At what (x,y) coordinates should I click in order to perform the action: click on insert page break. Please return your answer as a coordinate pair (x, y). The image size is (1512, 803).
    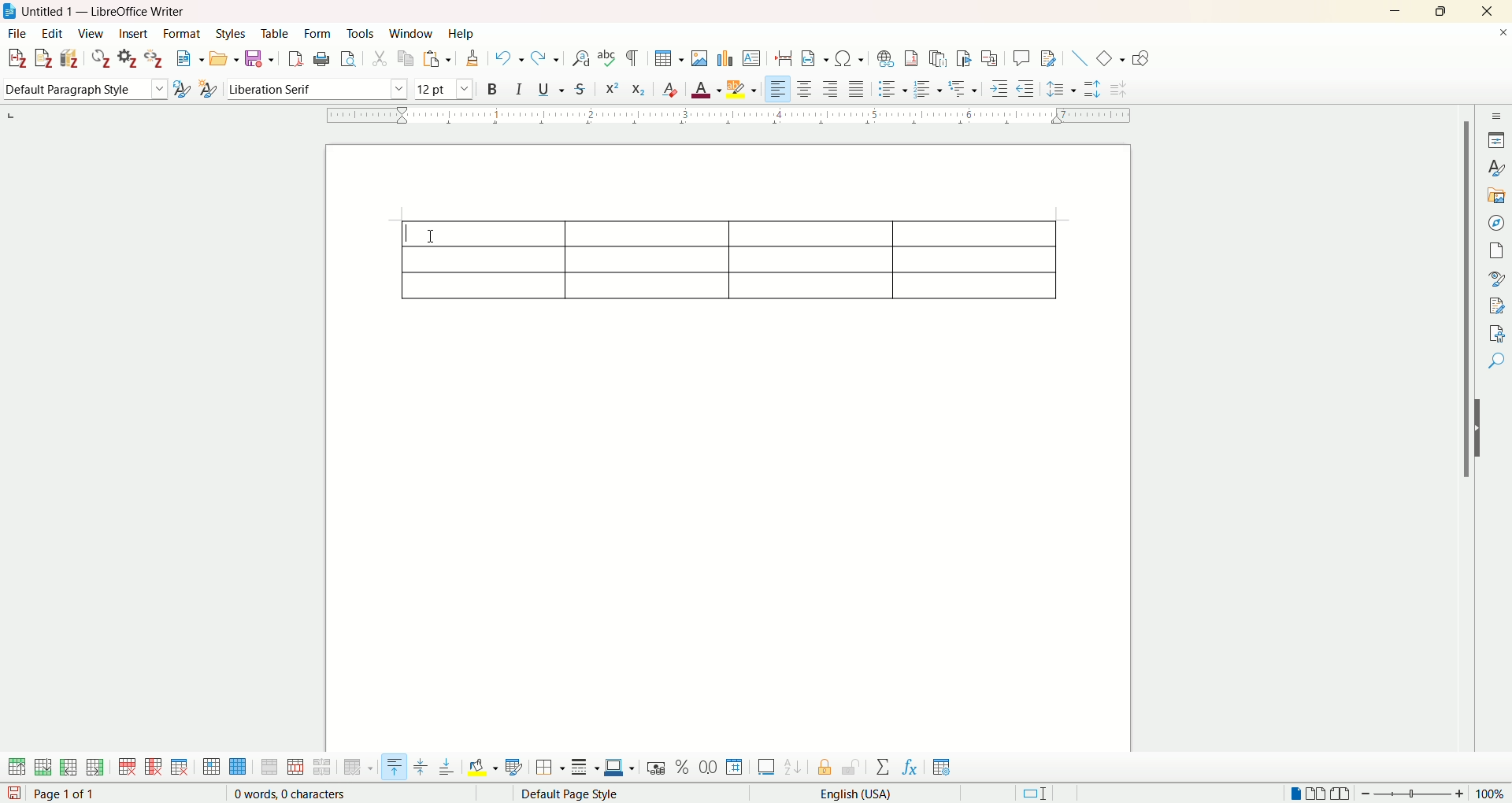
    Looking at the image, I should click on (784, 59).